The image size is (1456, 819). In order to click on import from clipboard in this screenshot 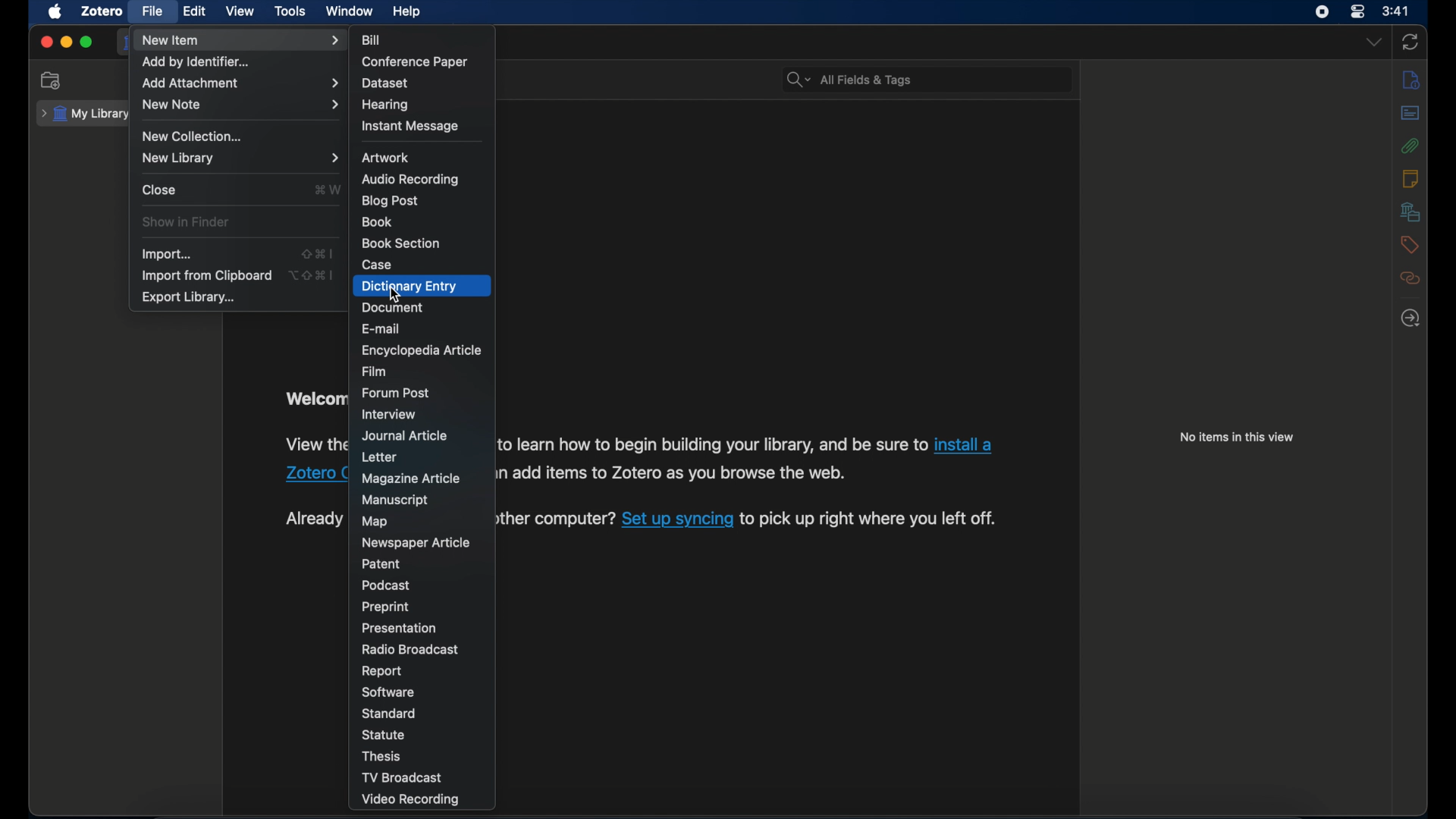, I will do `click(206, 276)`.